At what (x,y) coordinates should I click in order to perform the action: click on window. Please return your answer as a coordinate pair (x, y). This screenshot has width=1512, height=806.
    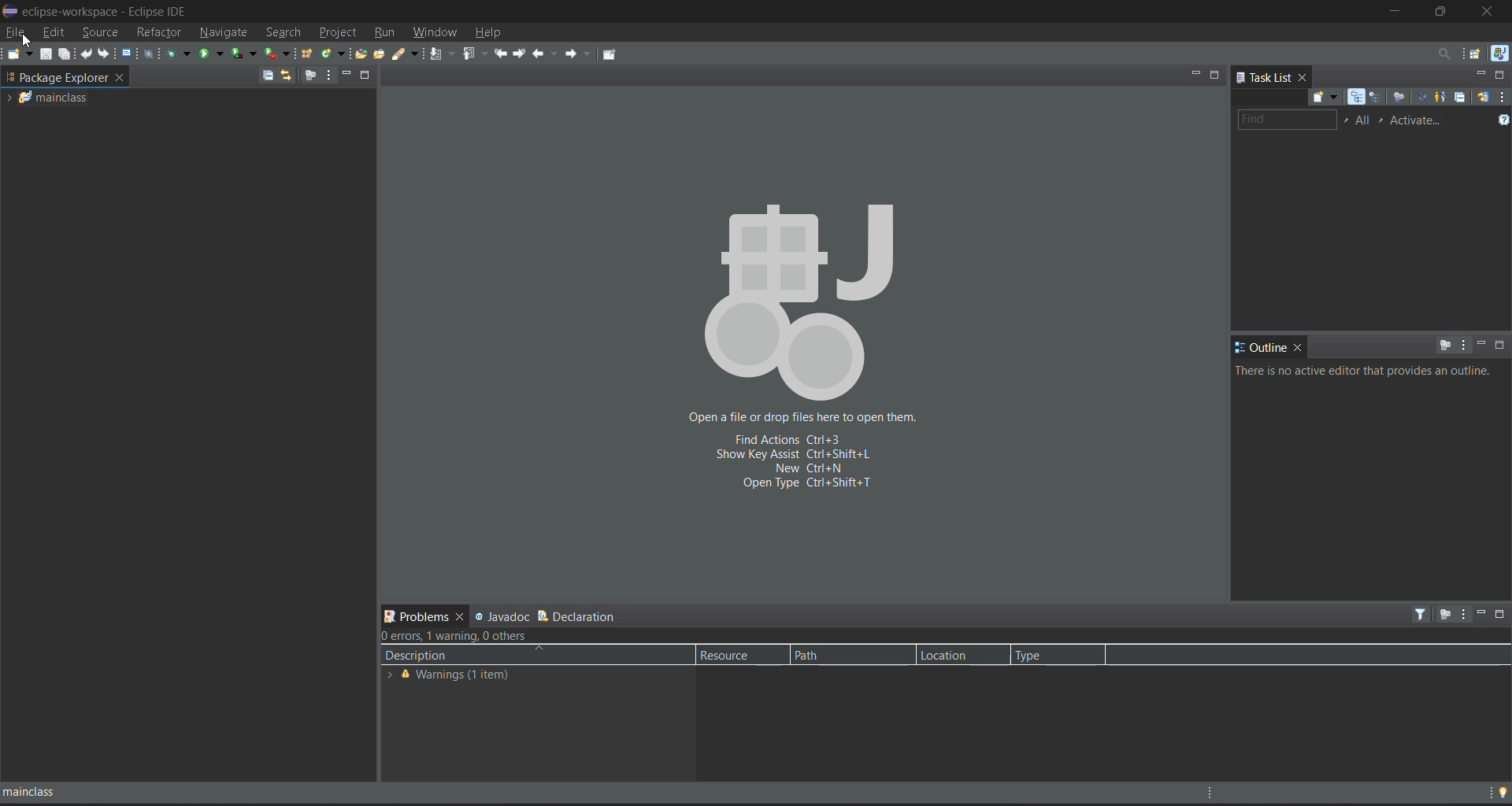
    Looking at the image, I should click on (437, 32).